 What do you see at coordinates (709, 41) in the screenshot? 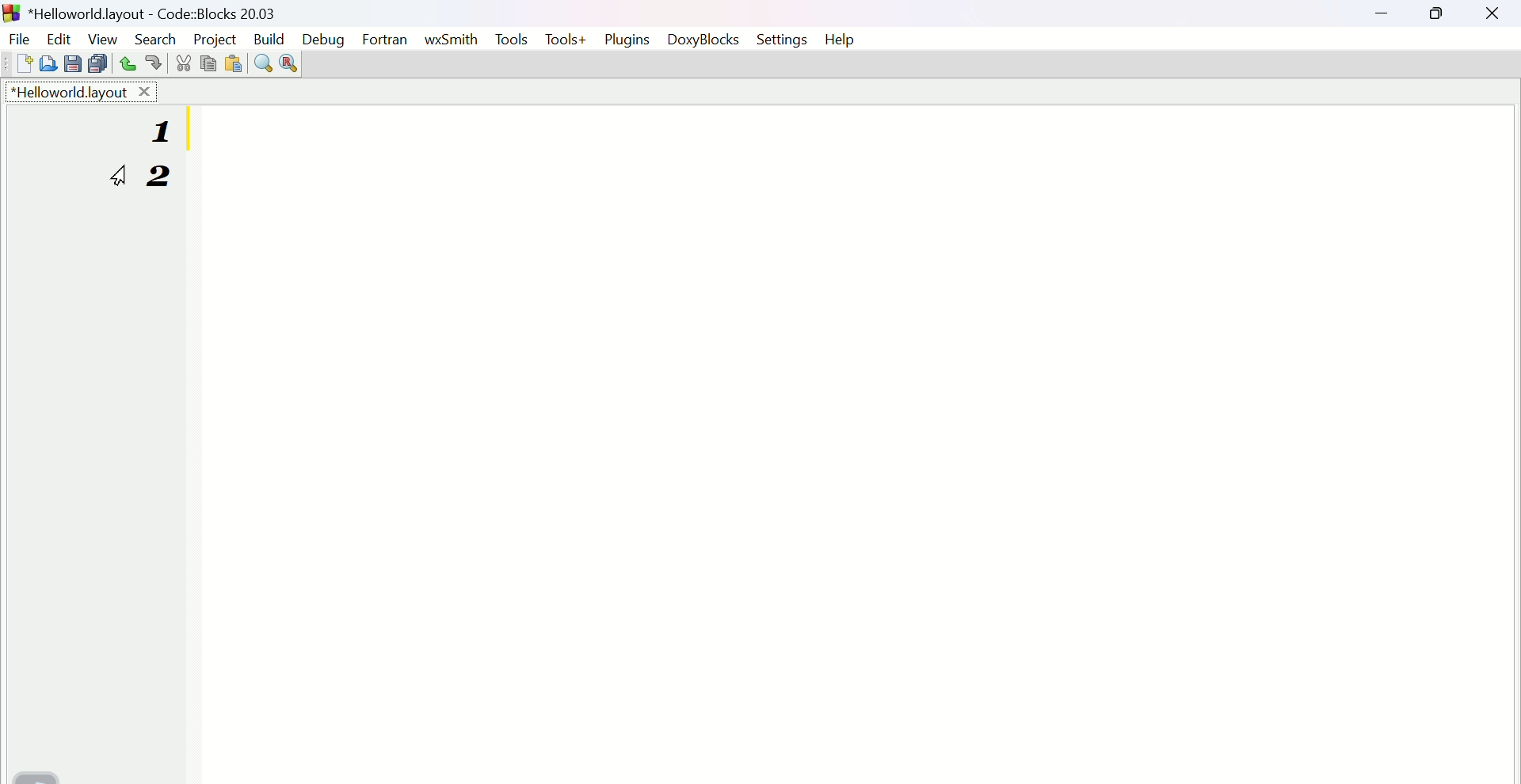
I see `Doxyblocks` at bounding box center [709, 41].